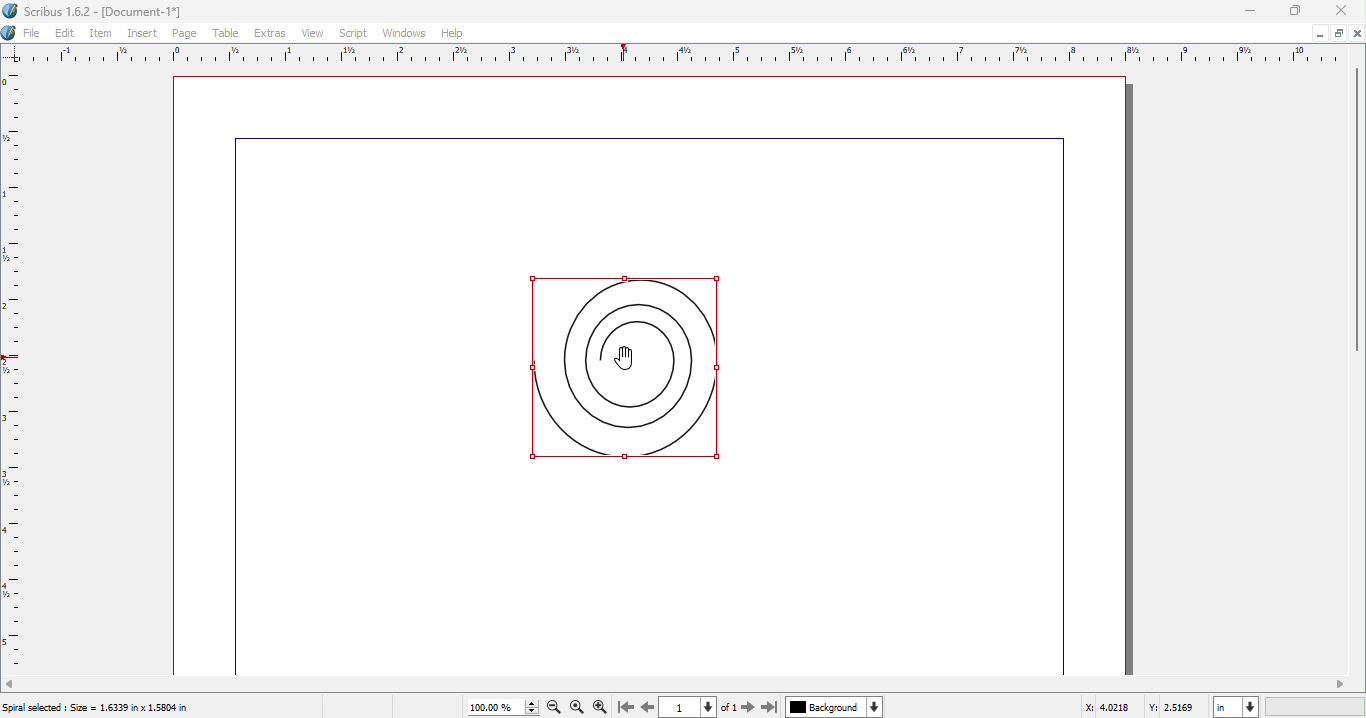 Image resolution: width=1366 pixels, height=718 pixels. Describe the element at coordinates (191, 34) in the screenshot. I see `Page` at that location.